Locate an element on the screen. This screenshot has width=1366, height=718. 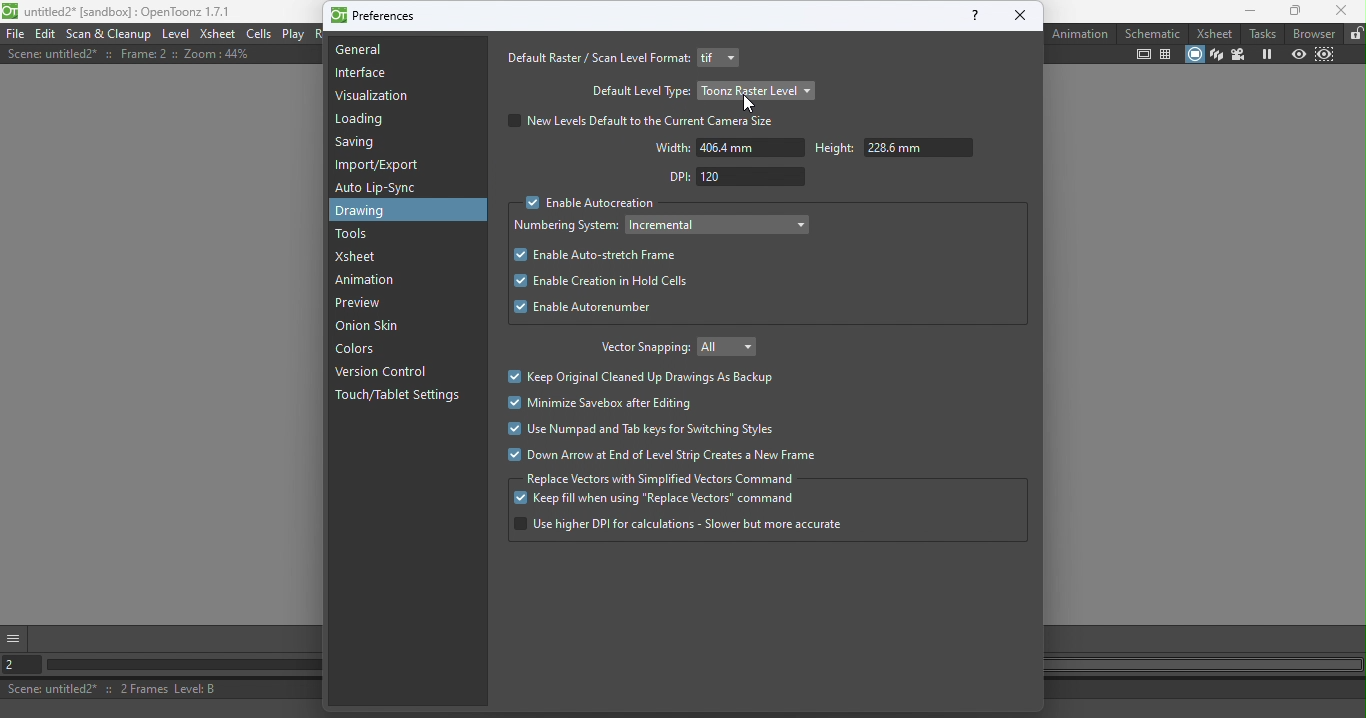
Down arrow at end of level strip creates a new frame is located at coordinates (661, 456).